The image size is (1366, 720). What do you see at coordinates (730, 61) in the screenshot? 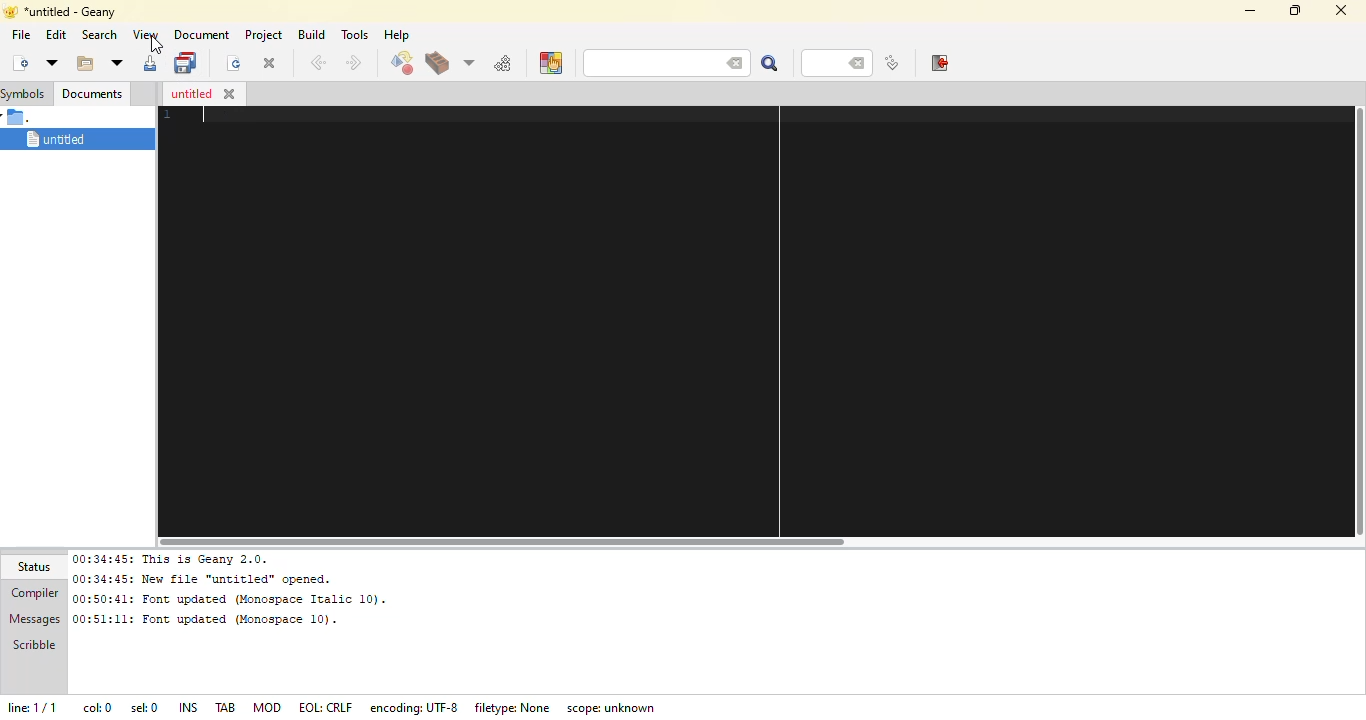
I see `back space` at bounding box center [730, 61].